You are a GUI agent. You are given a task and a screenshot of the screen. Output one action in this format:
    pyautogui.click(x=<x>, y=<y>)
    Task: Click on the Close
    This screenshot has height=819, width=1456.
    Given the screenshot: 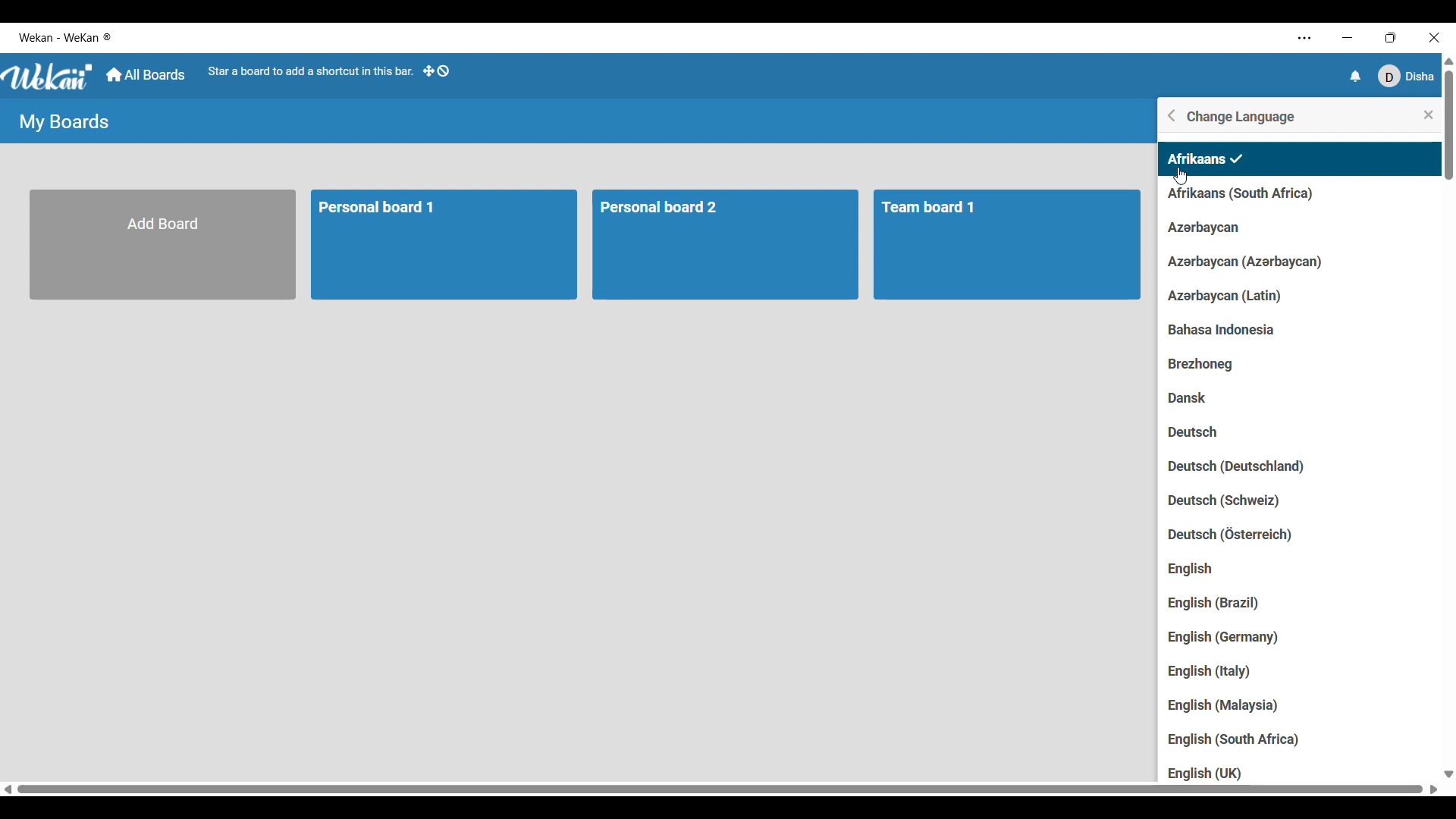 What is the action you would take?
    pyautogui.click(x=1433, y=36)
    